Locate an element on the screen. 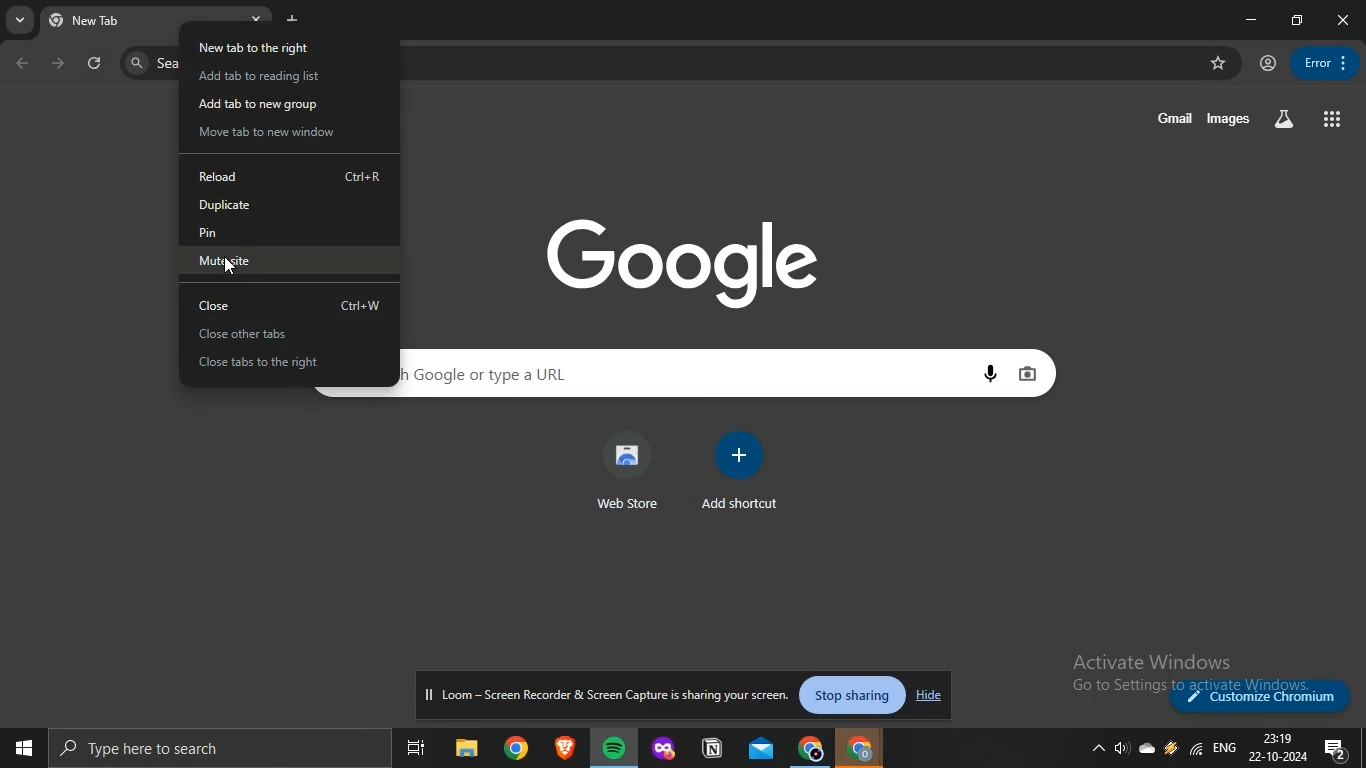 The image size is (1366, 768).  Loom — Screen Recorder & Screen Capture is sharing your screen. is located at coordinates (609, 696).